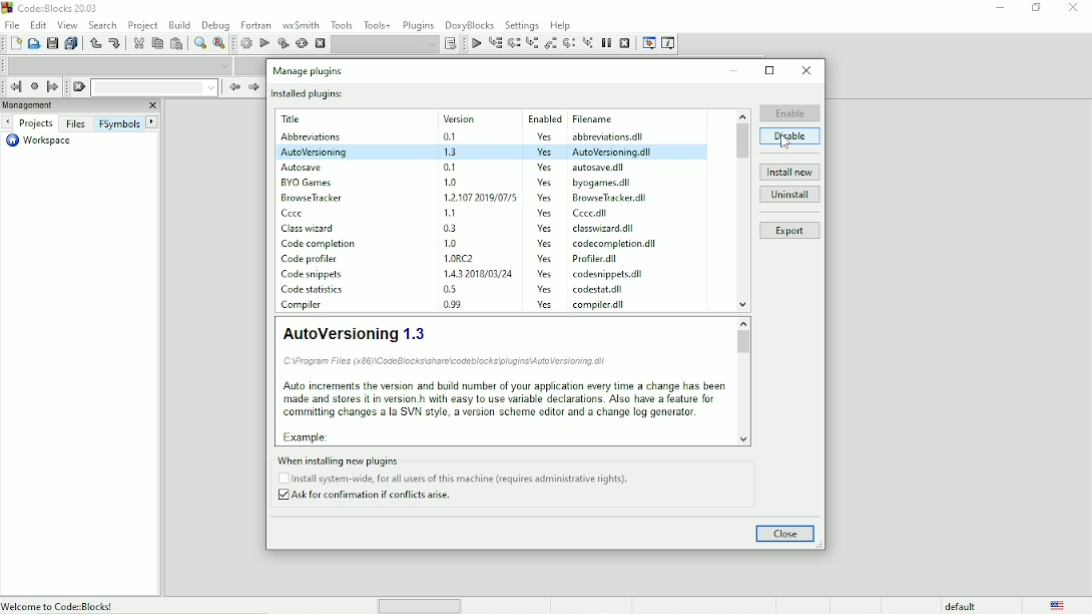  Describe the element at coordinates (532, 44) in the screenshot. I see `Step into` at that location.